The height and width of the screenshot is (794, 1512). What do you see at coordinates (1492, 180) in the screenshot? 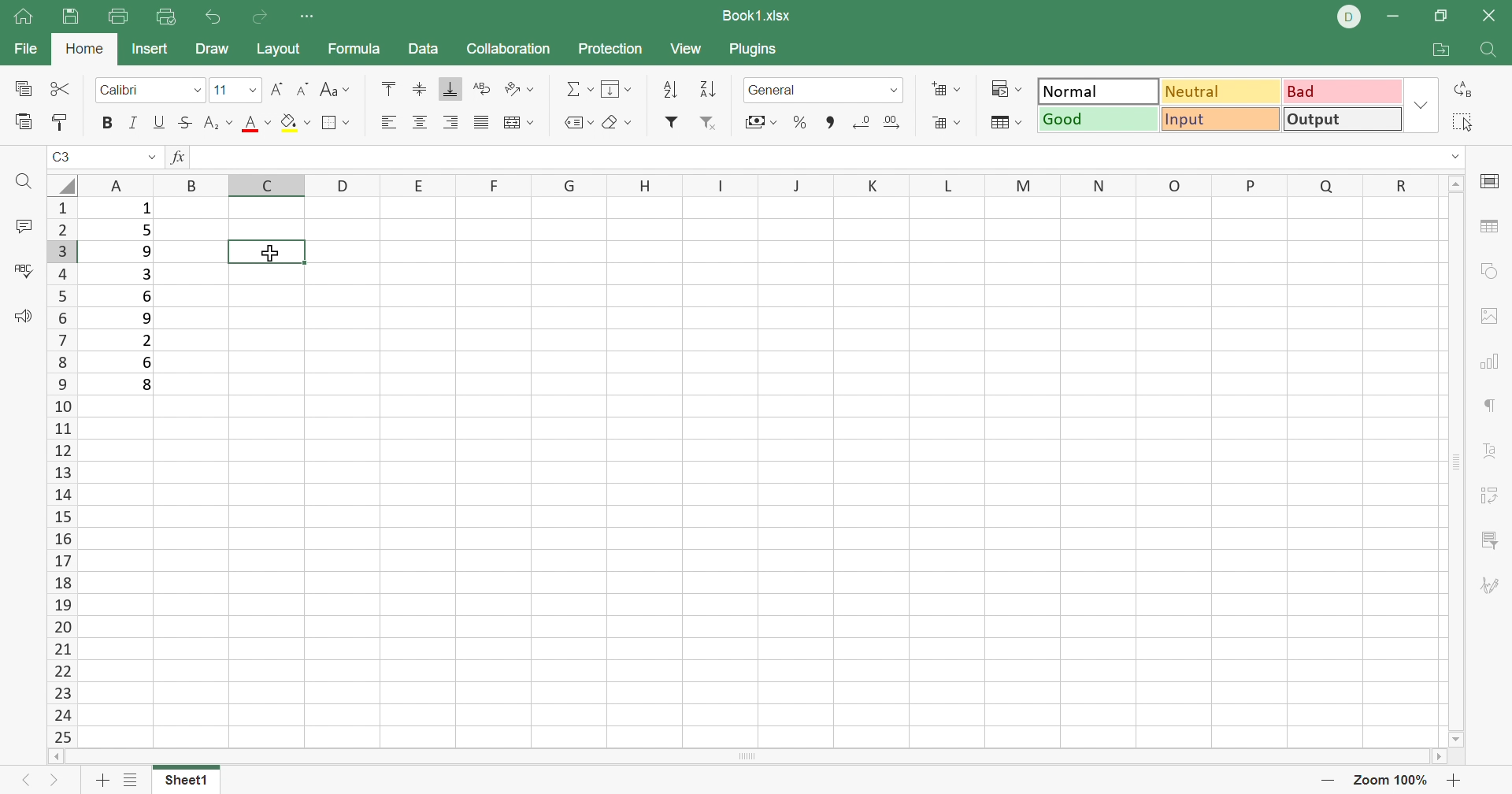
I see `Slide settings` at bounding box center [1492, 180].